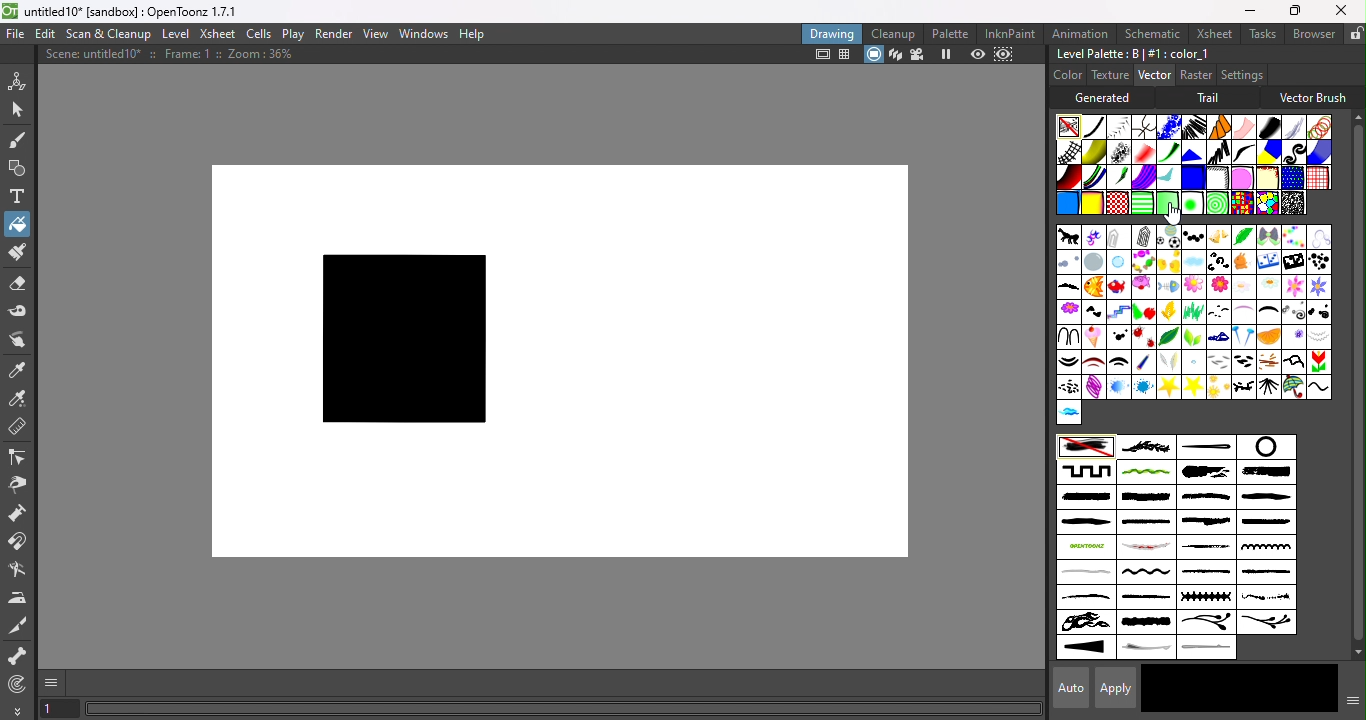 Image resolution: width=1366 pixels, height=720 pixels. What do you see at coordinates (1242, 387) in the screenshot?
I see `thor` at bounding box center [1242, 387].